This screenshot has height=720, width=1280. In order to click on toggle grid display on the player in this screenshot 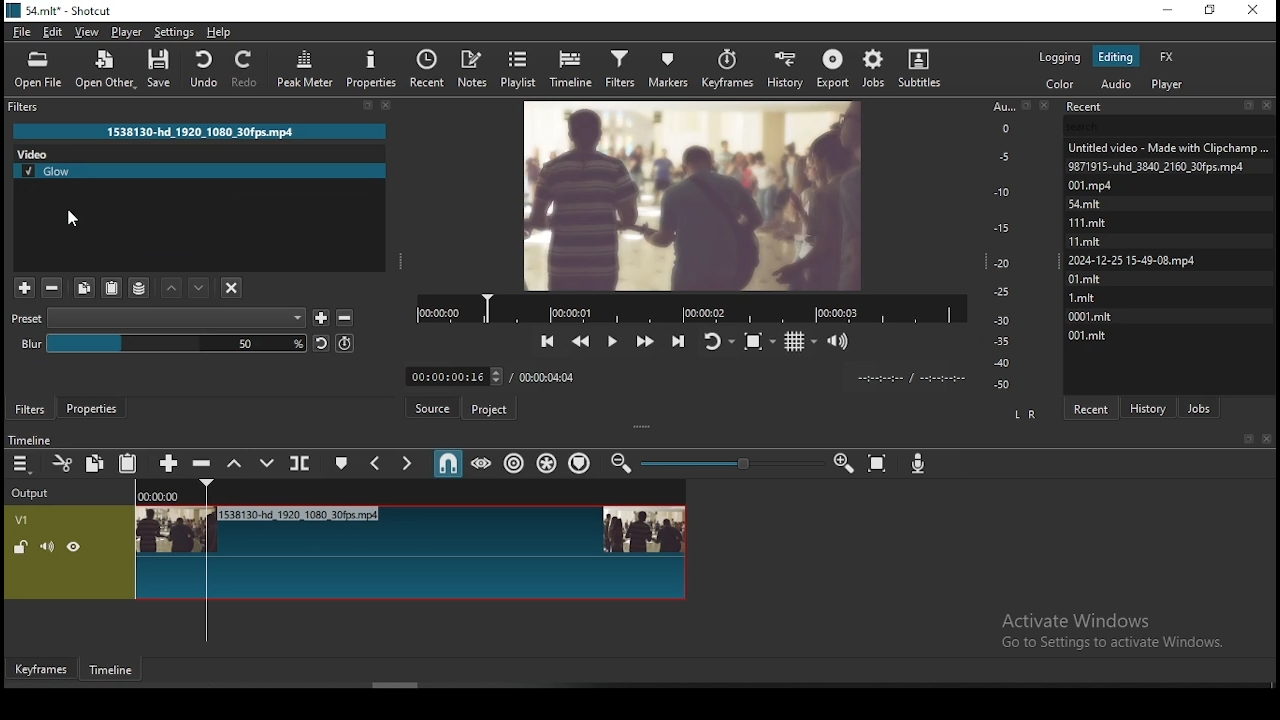, I will do `click(801, 339)`.